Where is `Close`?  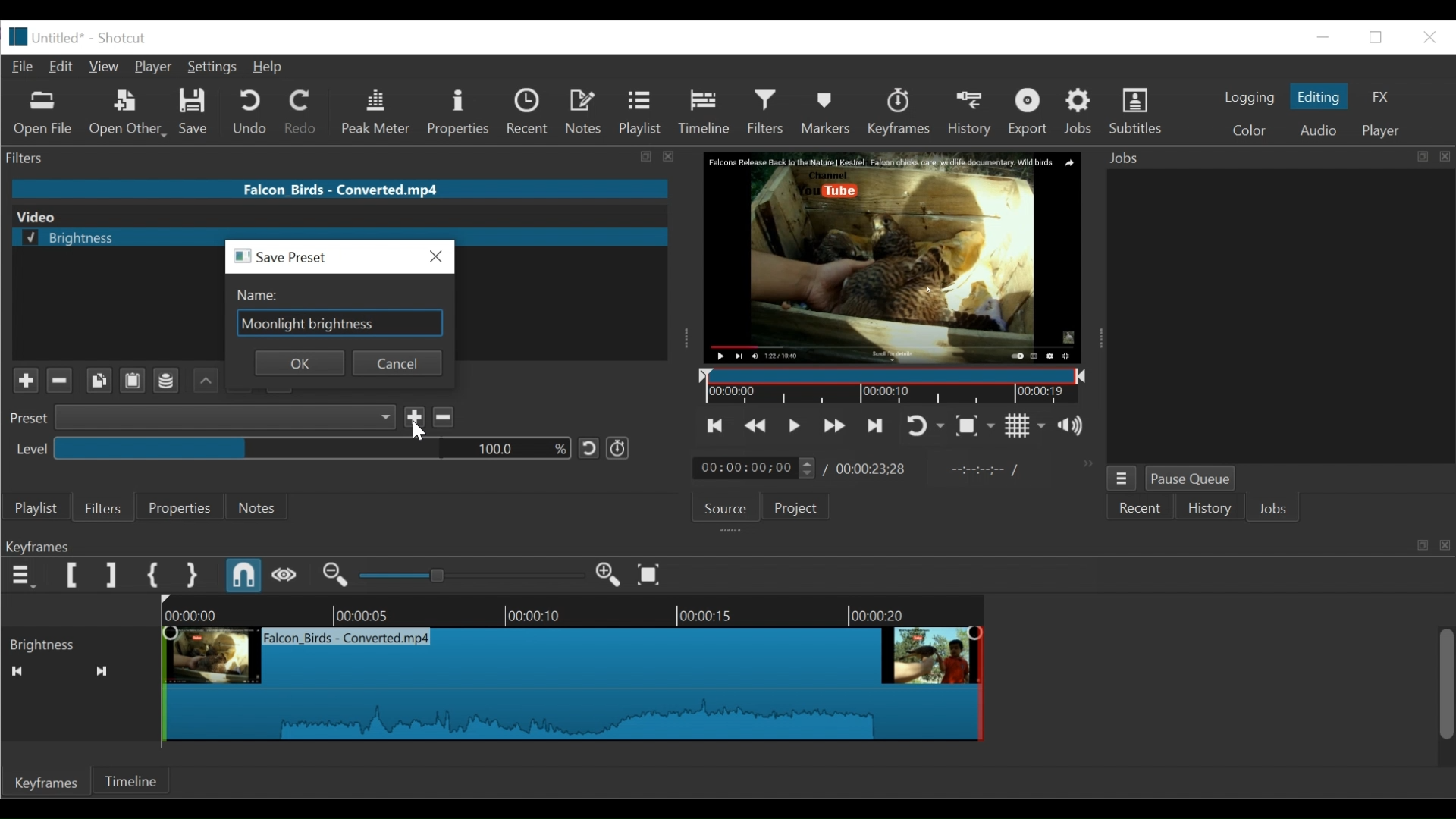
Close is located at coordinates (433, 257).